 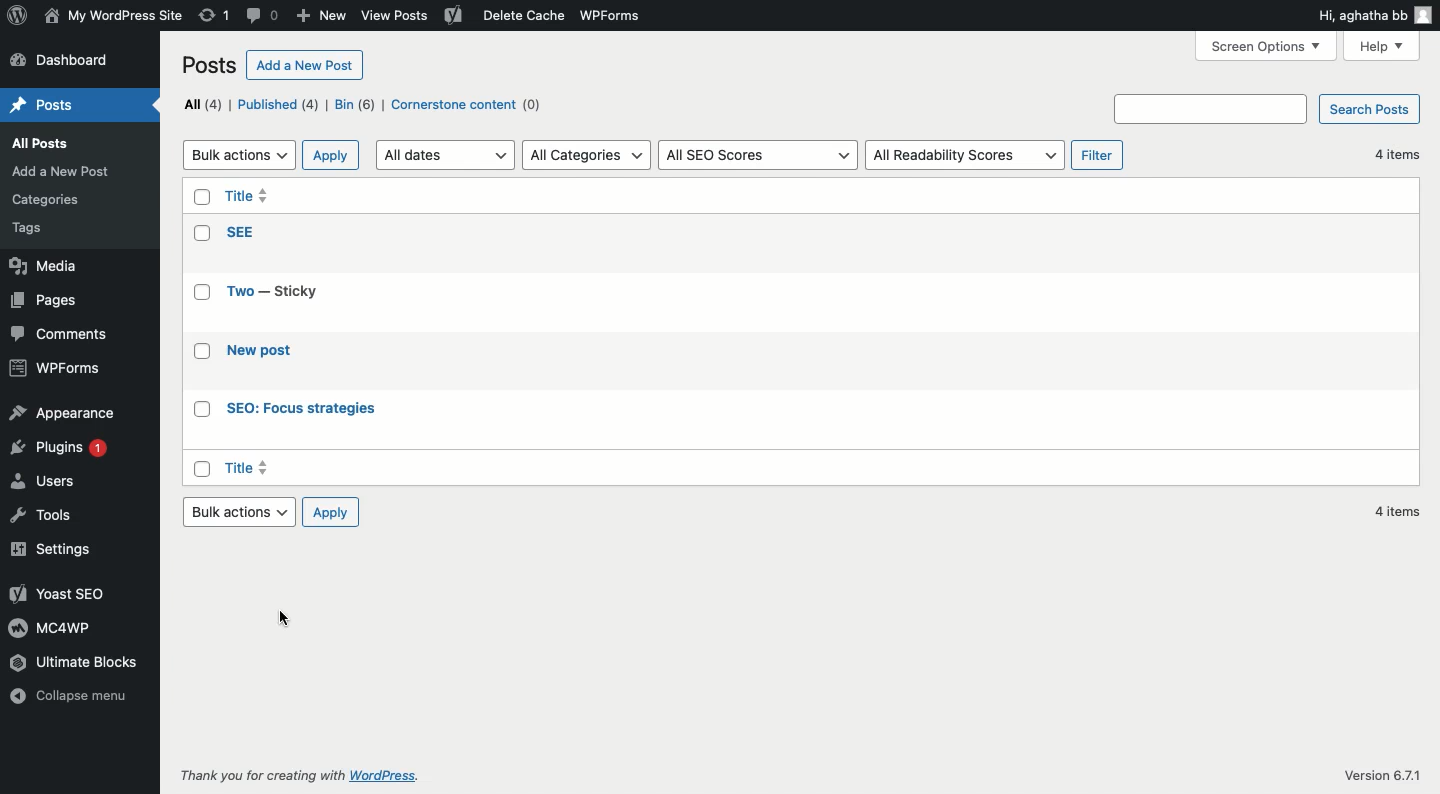 I want to click on All categories, so click(x=588, y=154).